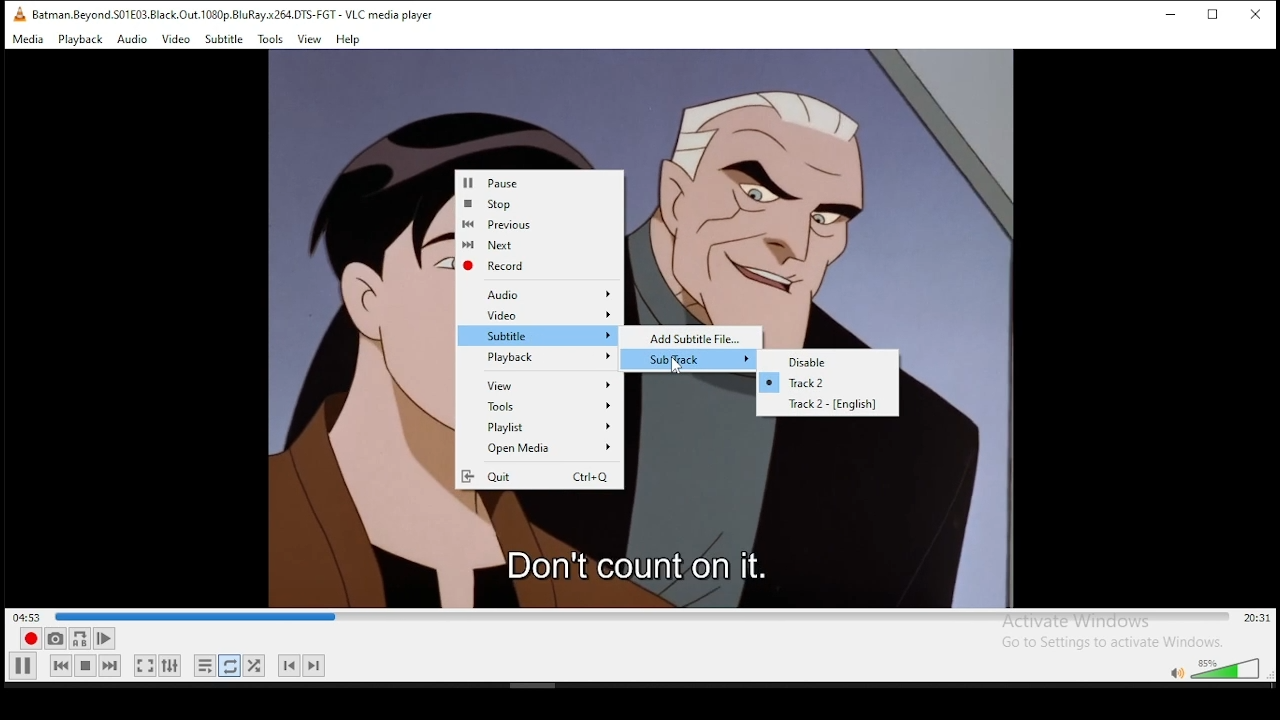  Describe the element at coordinates (107, 639) in the screenshot. I see `Play ` at that location.